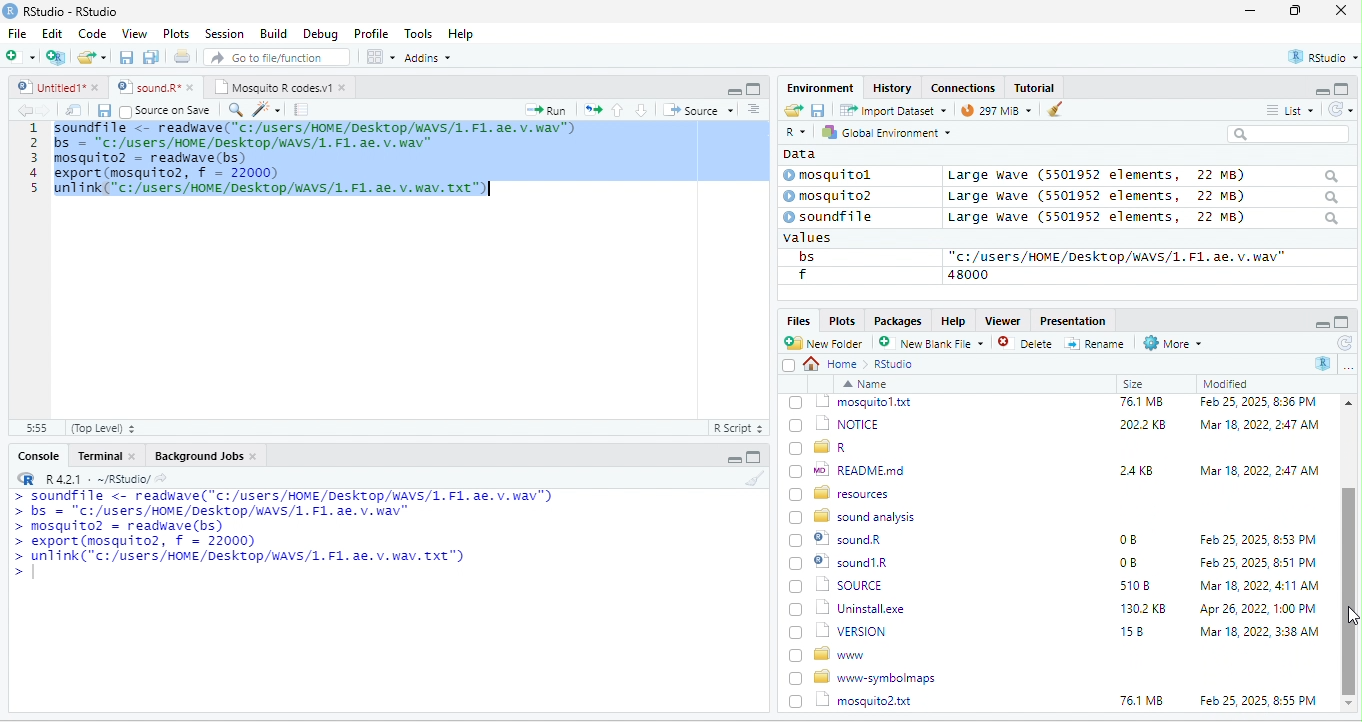  What do you see at coordinates (1145, 196) in the screenshot?
I see `Large wave (550139372 elements, JZ MB)` at bounding box center [1145, 196].